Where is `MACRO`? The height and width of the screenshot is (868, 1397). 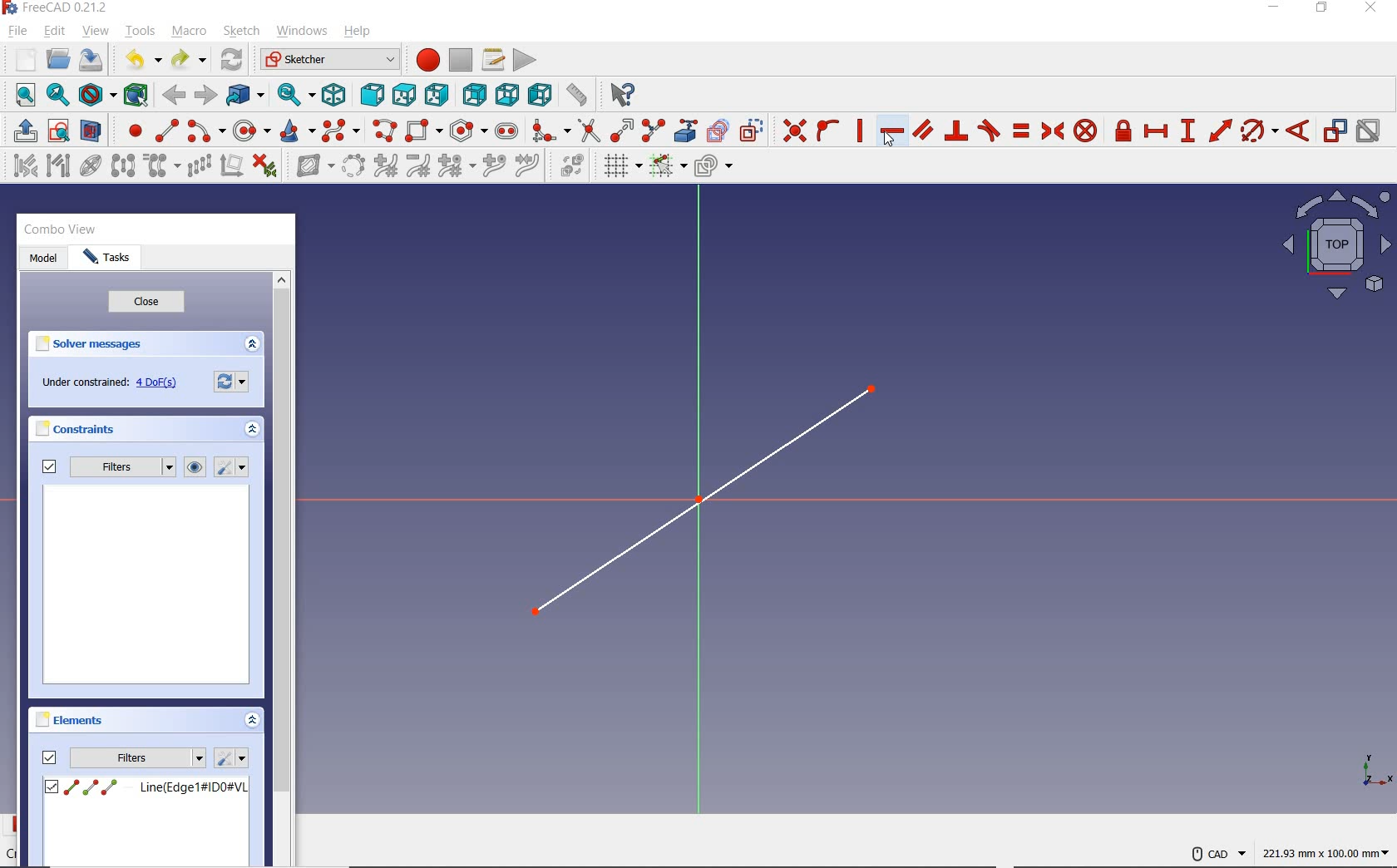 MACRO is located at coordinates (190, 32).